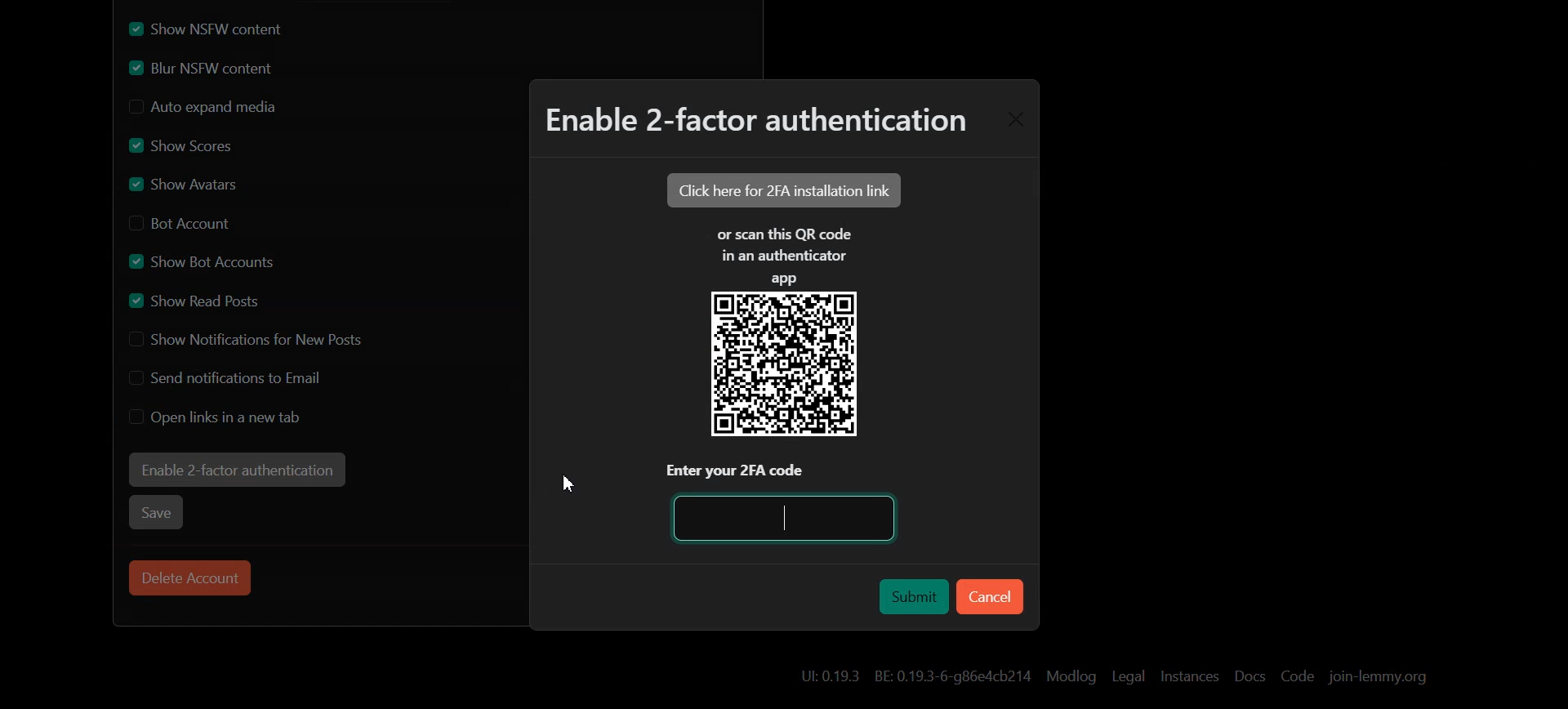  I want to click on Docs, so click(1249, 677).